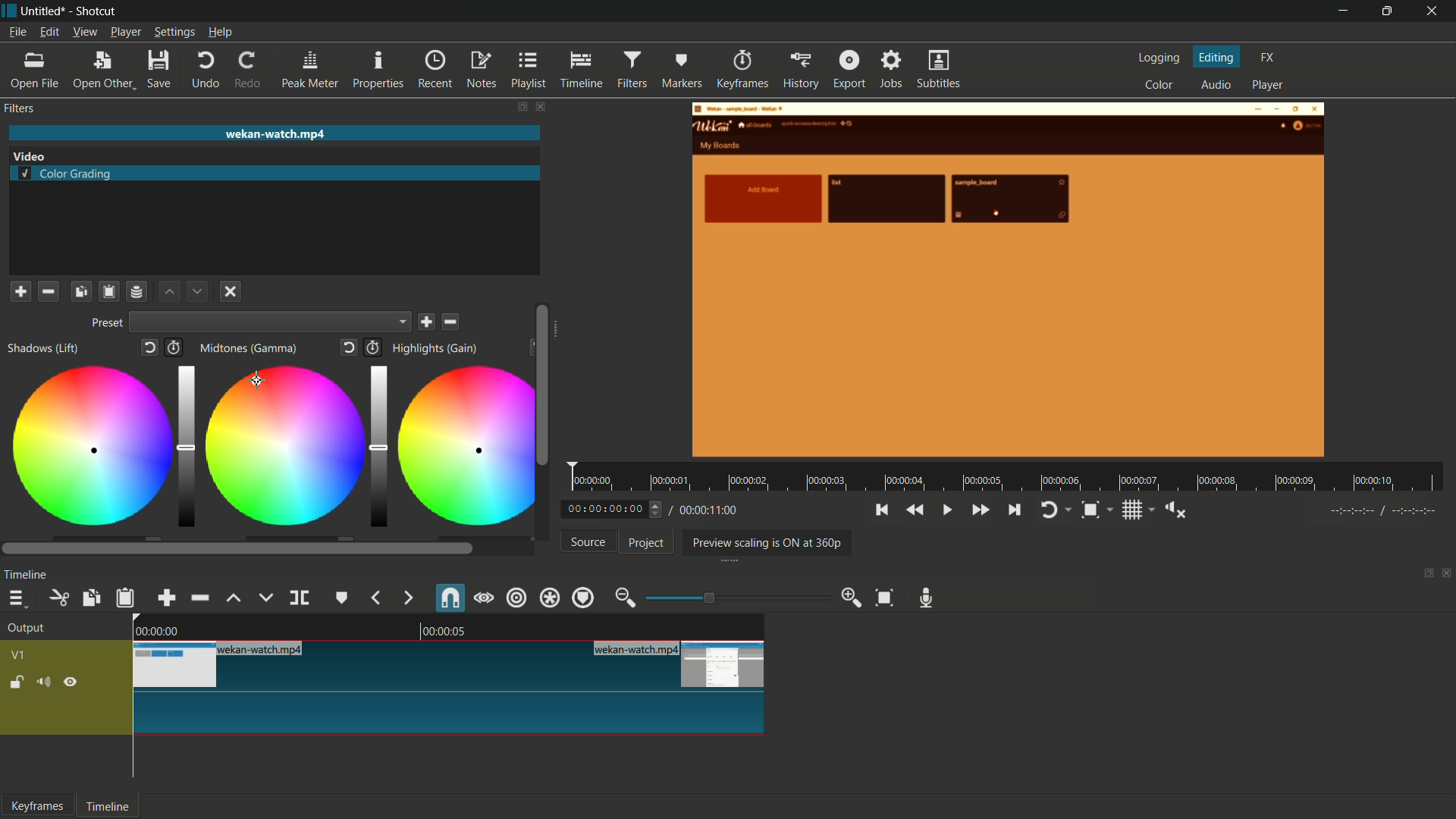 Image resolution: width=1456 pixels, height=819 pixels. I want to click on color adjustment, so click(461, 447).